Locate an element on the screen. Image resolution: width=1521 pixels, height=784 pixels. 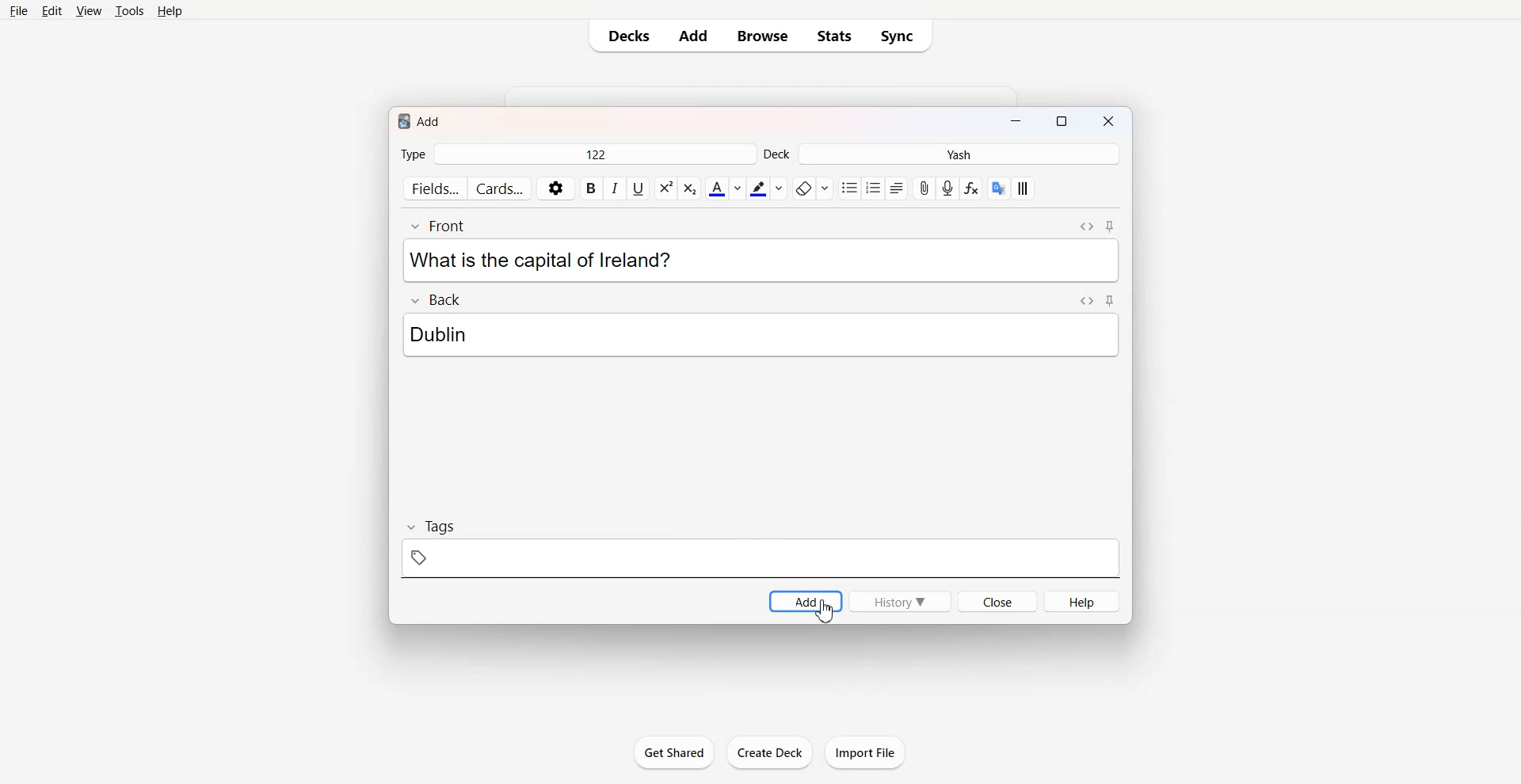
Record Audio is located at coordinates (947, 188).